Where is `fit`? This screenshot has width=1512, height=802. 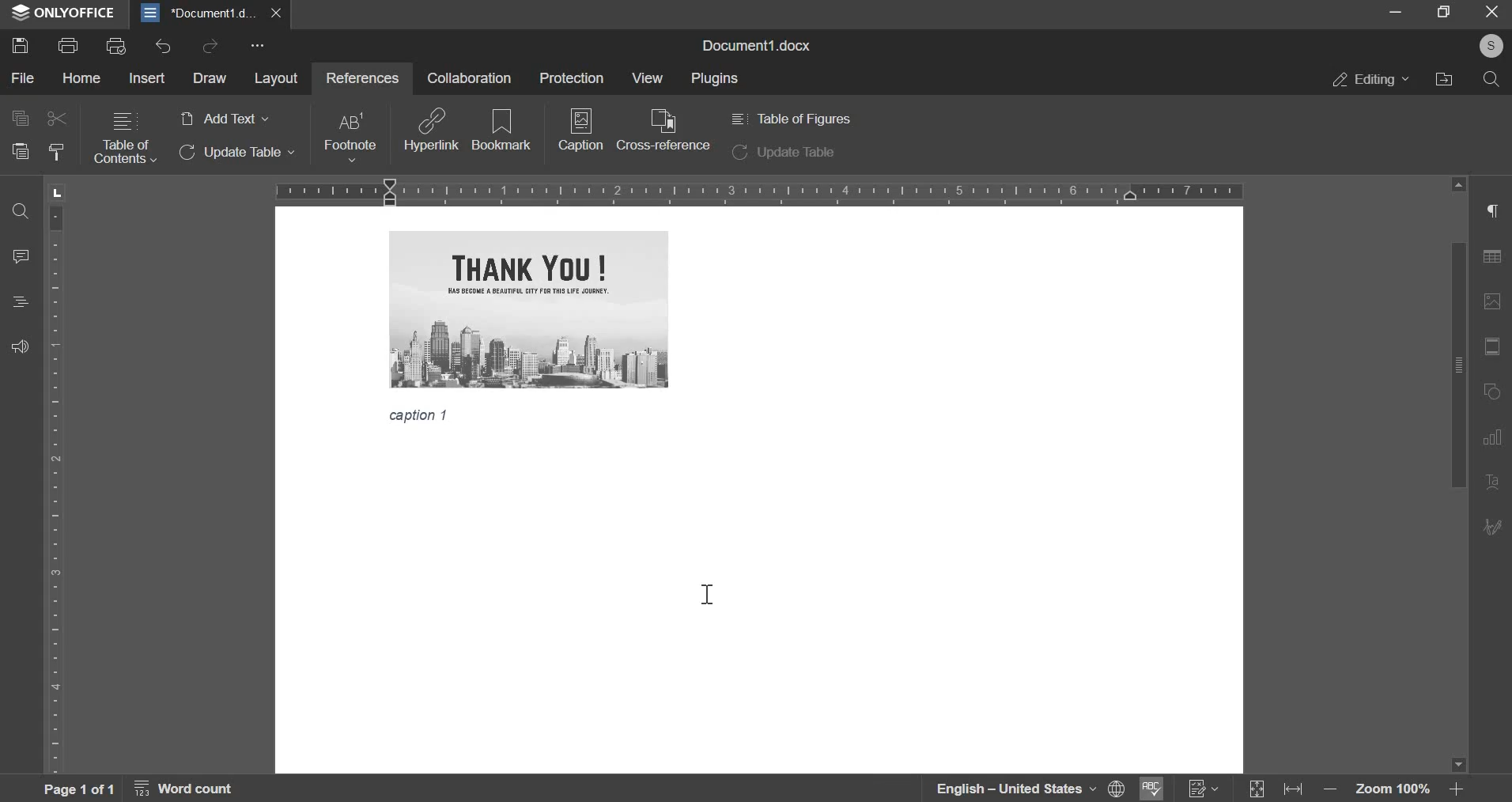 fit is located at coordinates (1297, 791).